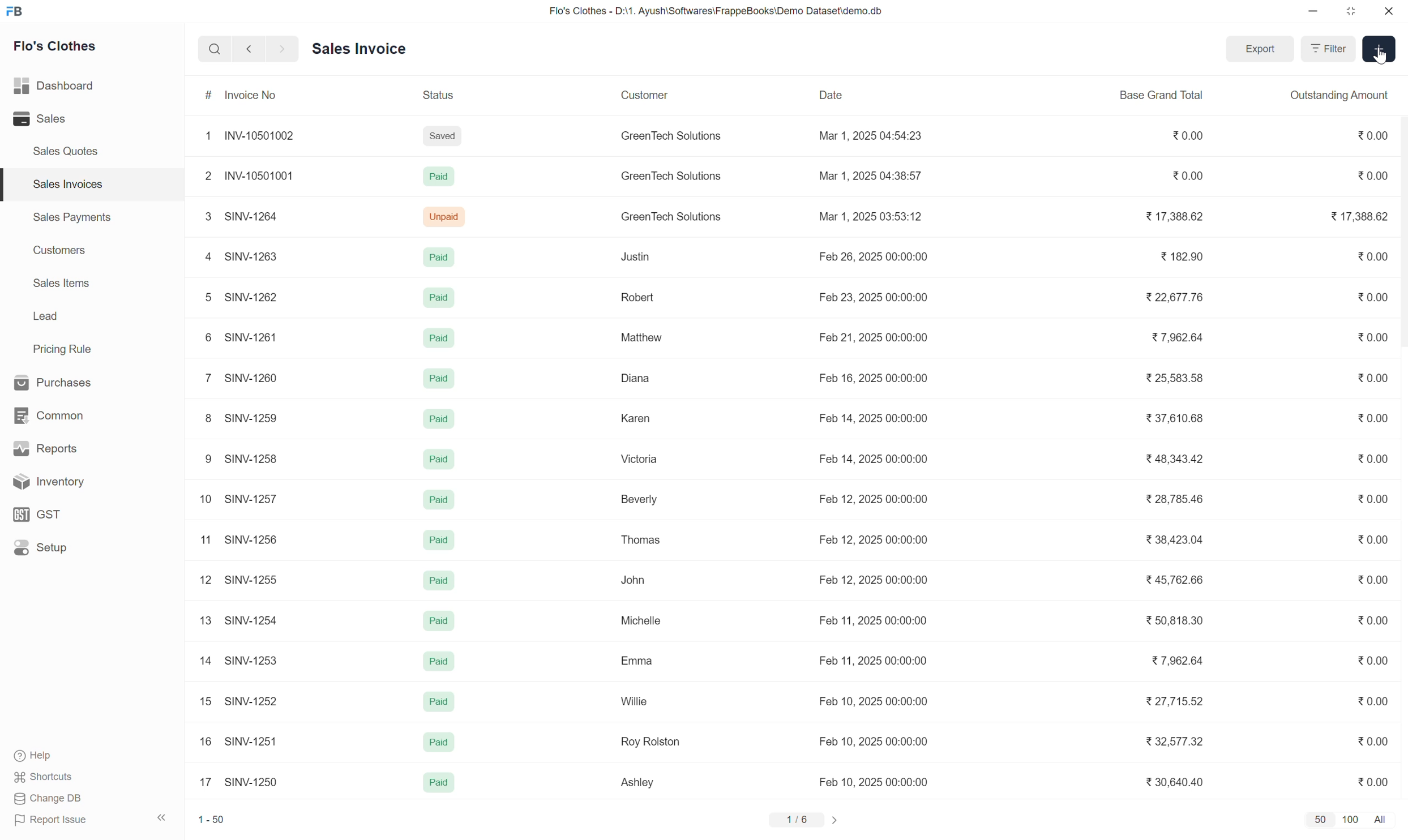 The height and width of the screenshot is (840, 1408). Describe the element at coordinates (255, 256) in the screenshot. I see `SINV-1263` at that location.